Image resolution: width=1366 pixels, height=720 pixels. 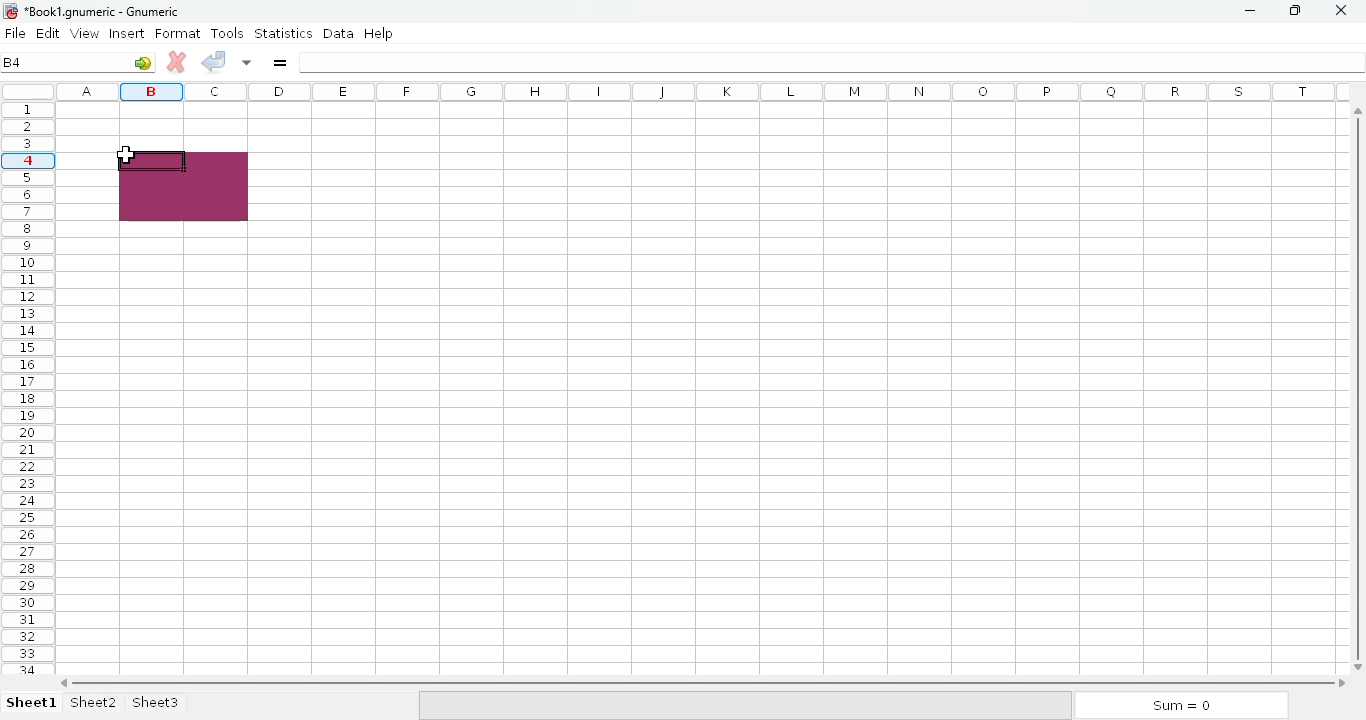 I want to click on columns, so click(x=699, y=93).